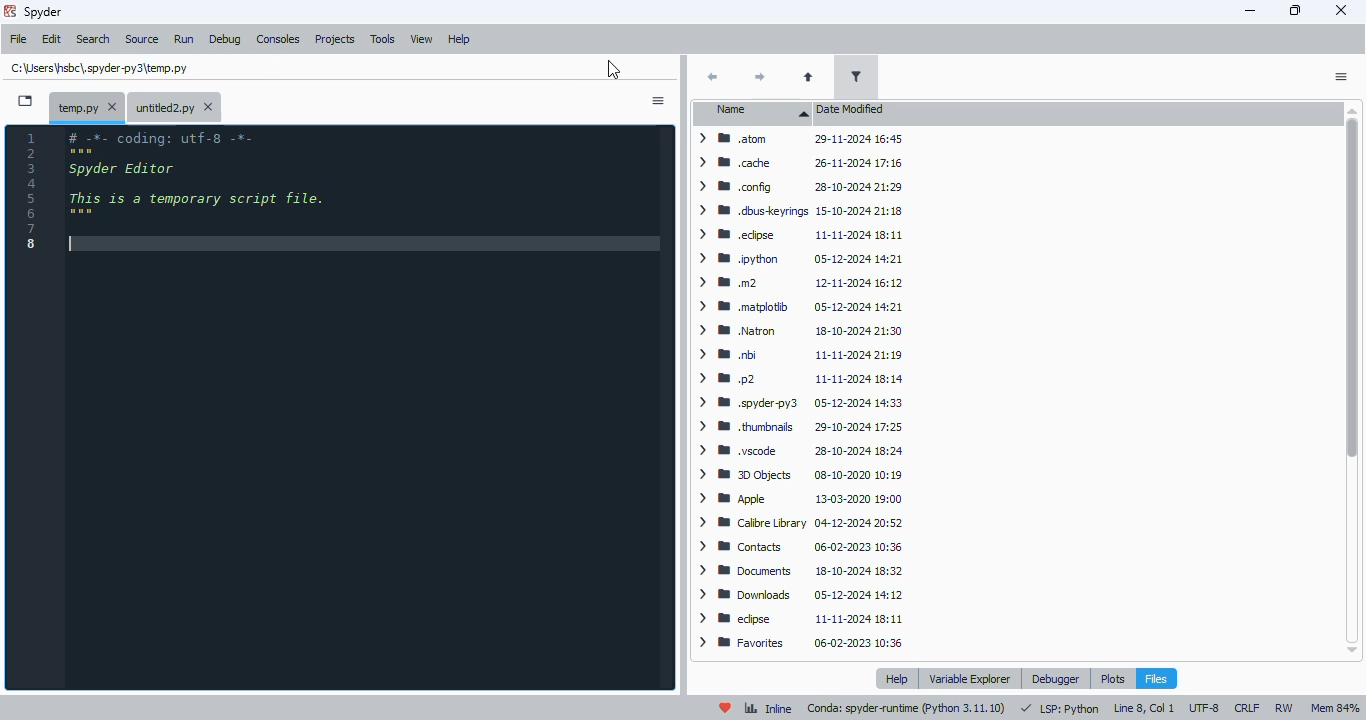 This screenshot has height=720, width=1366. I want to click on minimize, so click(1260, 9).